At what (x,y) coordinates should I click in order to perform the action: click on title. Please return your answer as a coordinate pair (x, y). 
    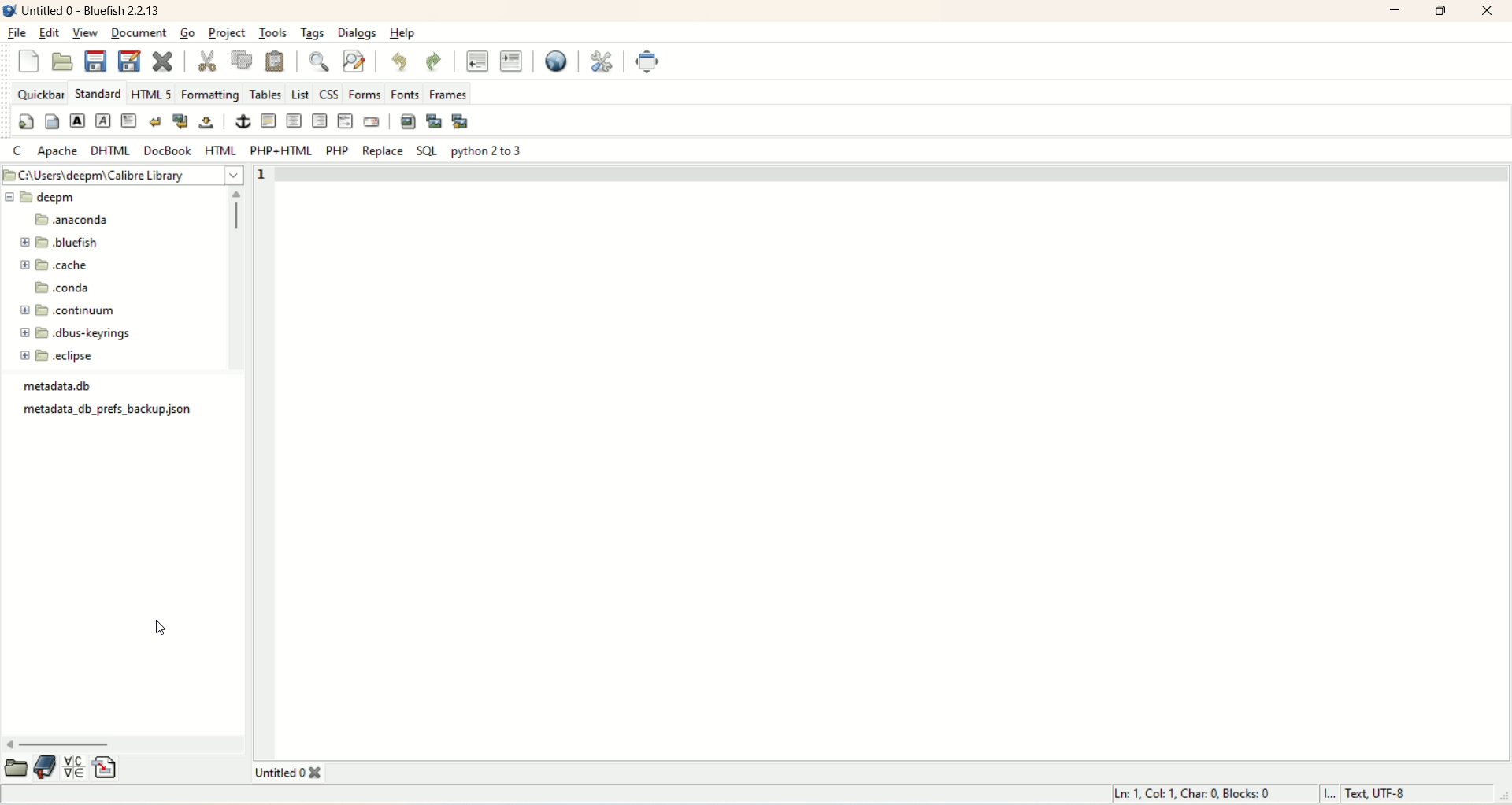
    Looking at the image, I should click on (298, 773).